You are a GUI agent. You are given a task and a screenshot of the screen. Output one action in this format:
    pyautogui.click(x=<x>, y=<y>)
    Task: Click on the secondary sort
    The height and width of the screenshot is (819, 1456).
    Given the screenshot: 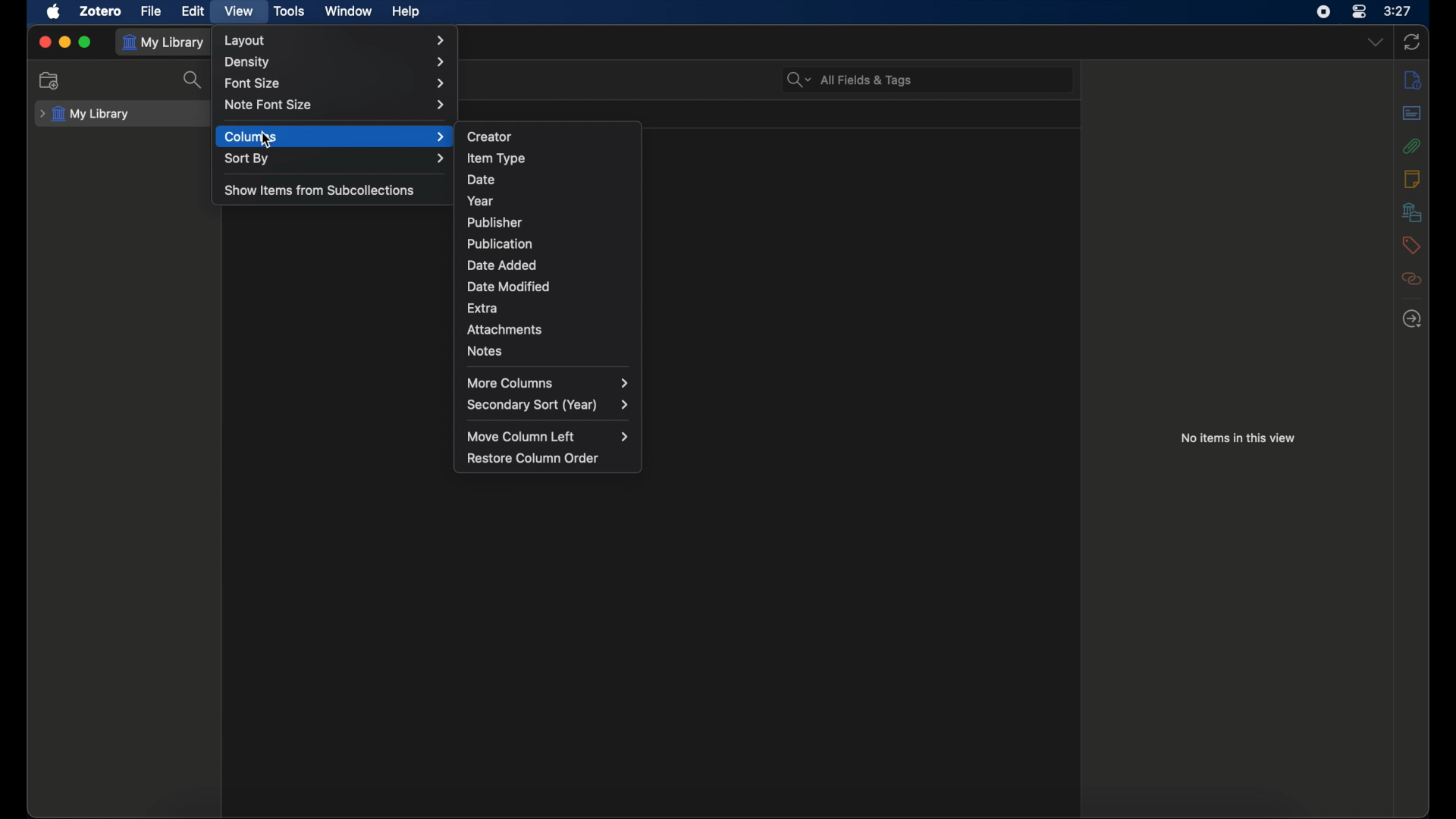 What is the action you would take?
    pyautogui.click(x=548, y=406)
    